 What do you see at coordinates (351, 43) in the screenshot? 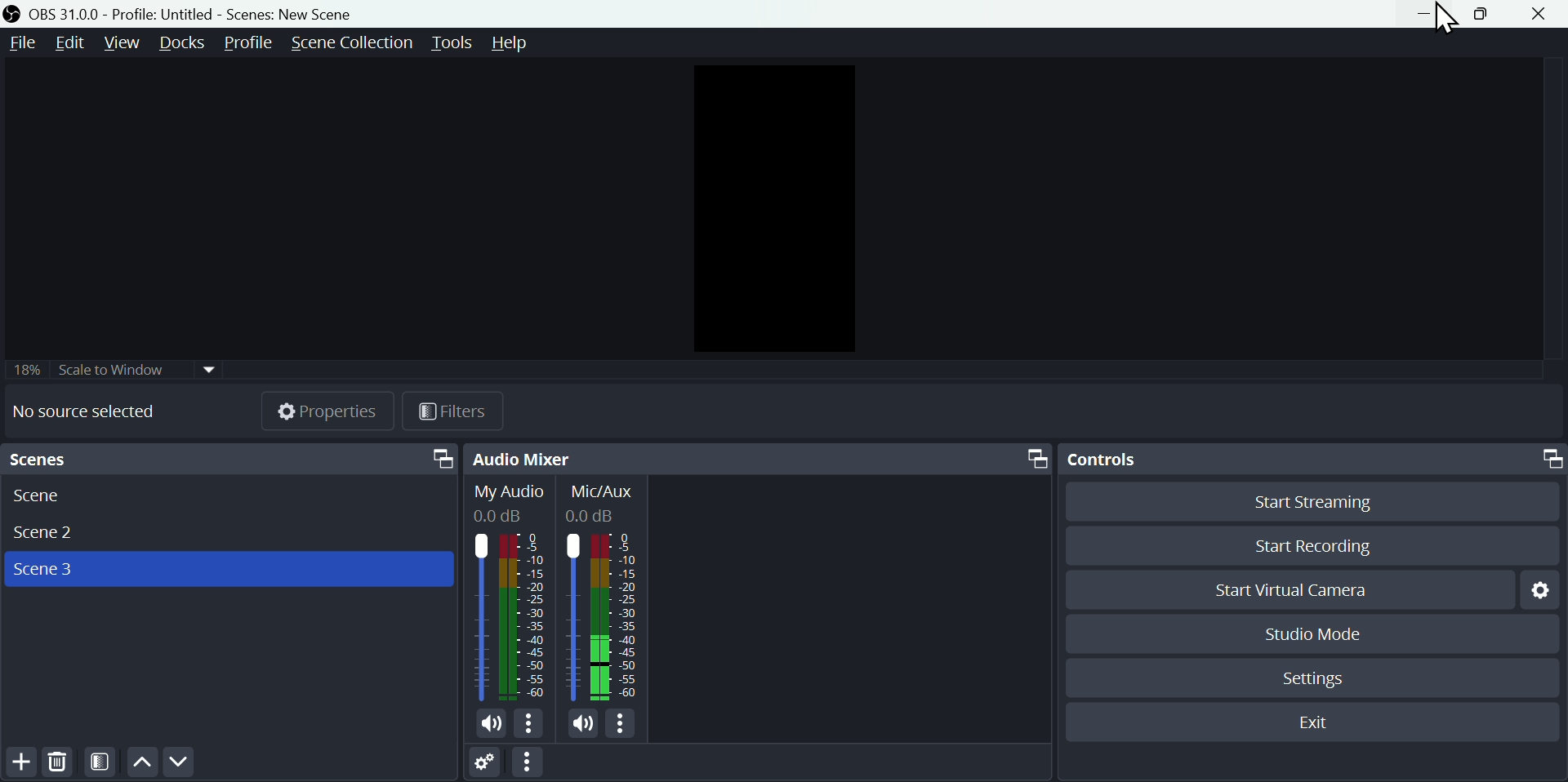
I see `Scene Transition` at bounding box center [351, 43].